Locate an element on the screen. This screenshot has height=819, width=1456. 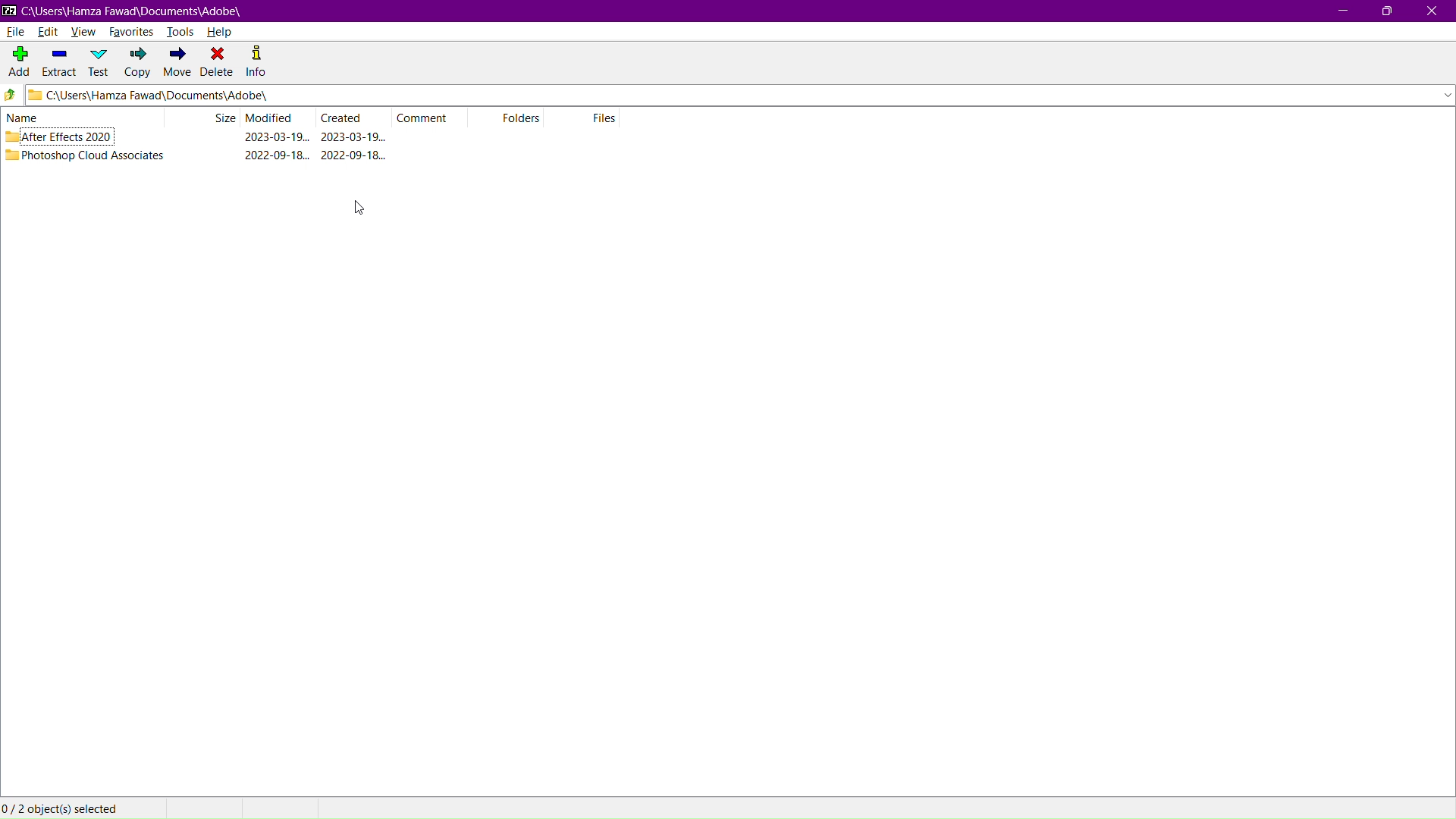
Size is located at coordinates (224, 118).